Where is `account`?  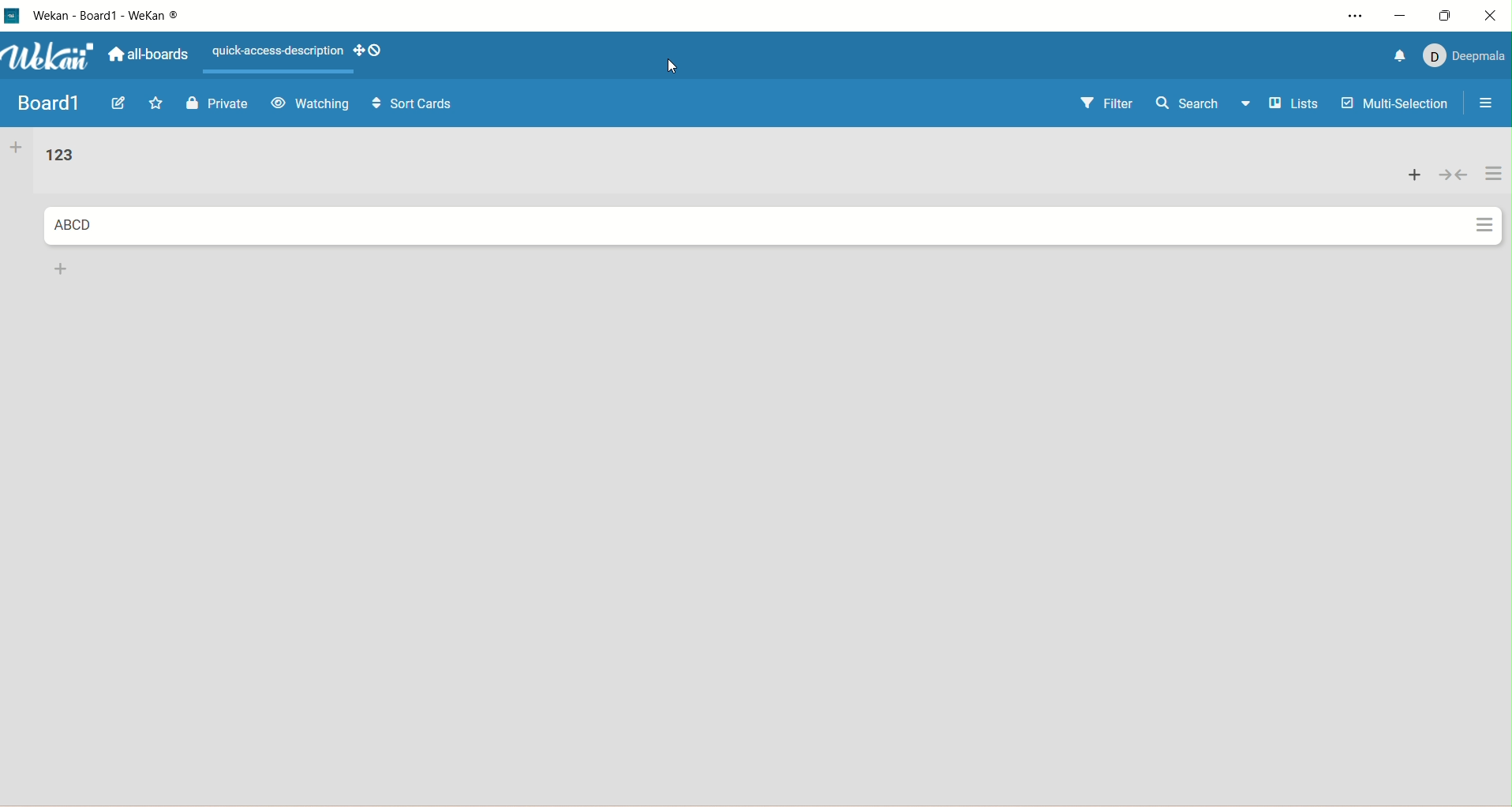 account is located at coordinates (1461, 58).